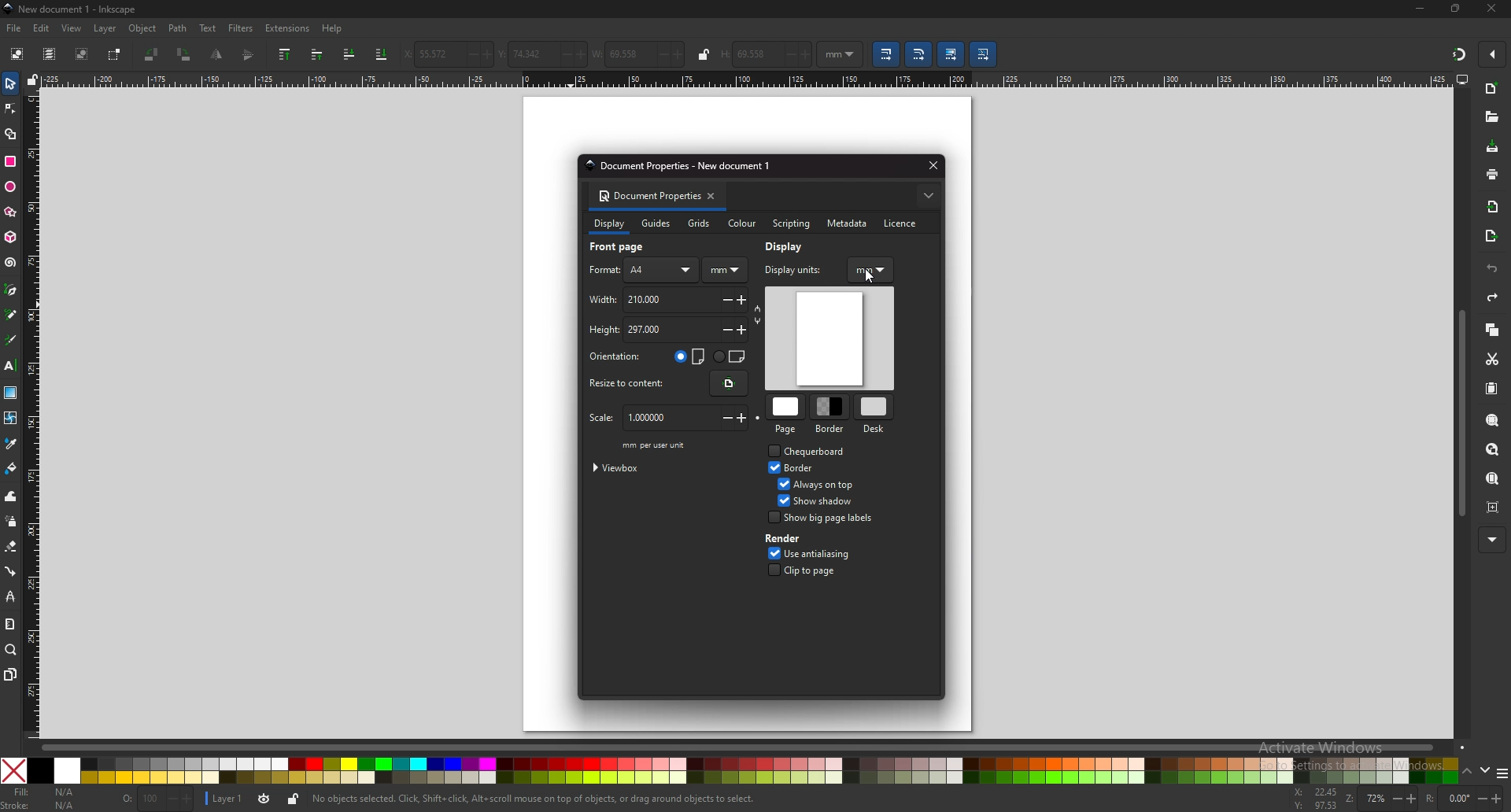 This screenshot has width=1511, height=812. Describe the element at coordinates (577, 54) in the screenshot. I see `+` at that location.